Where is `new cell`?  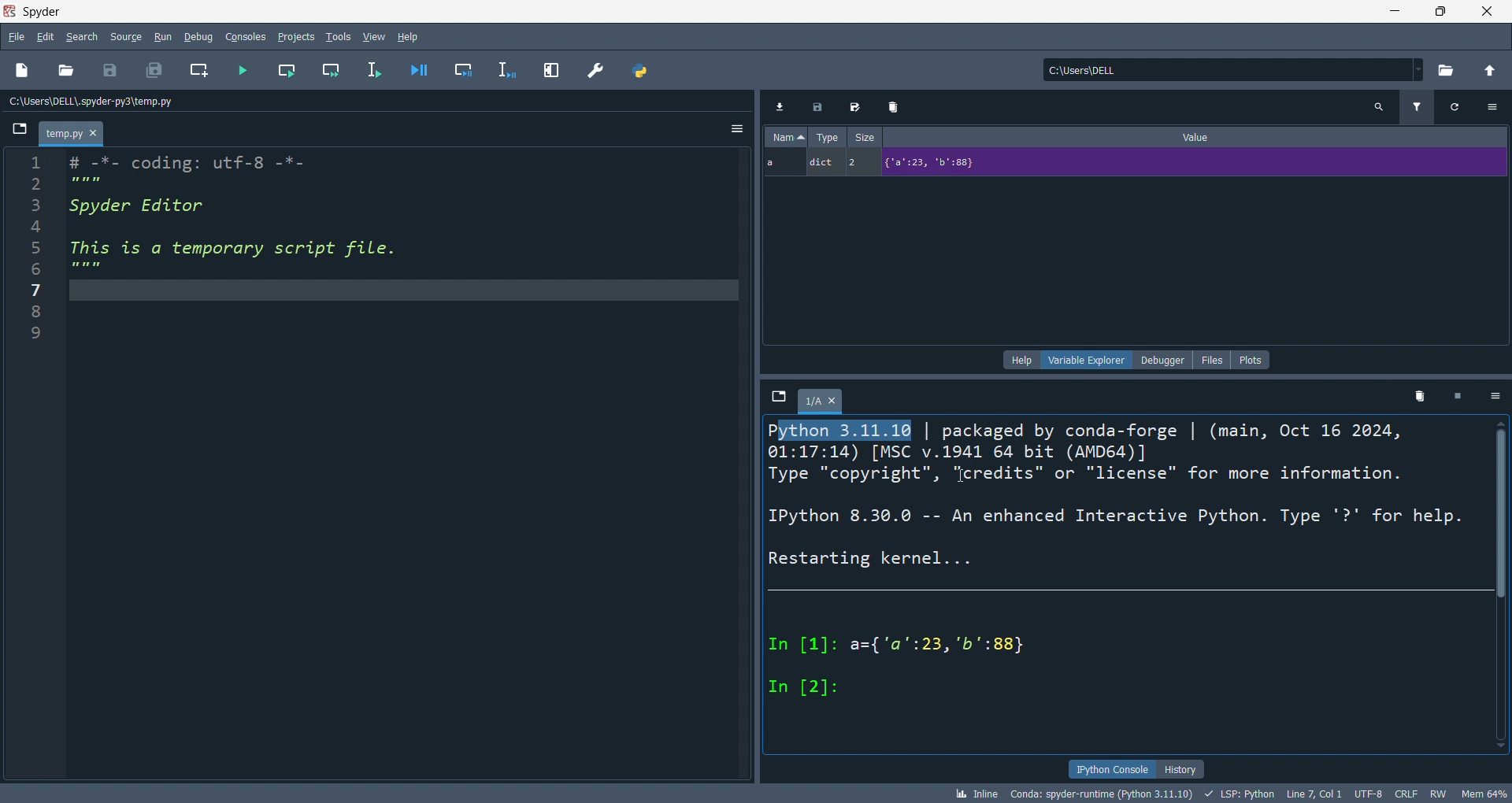
new cell is located at coordinates (202, 71).